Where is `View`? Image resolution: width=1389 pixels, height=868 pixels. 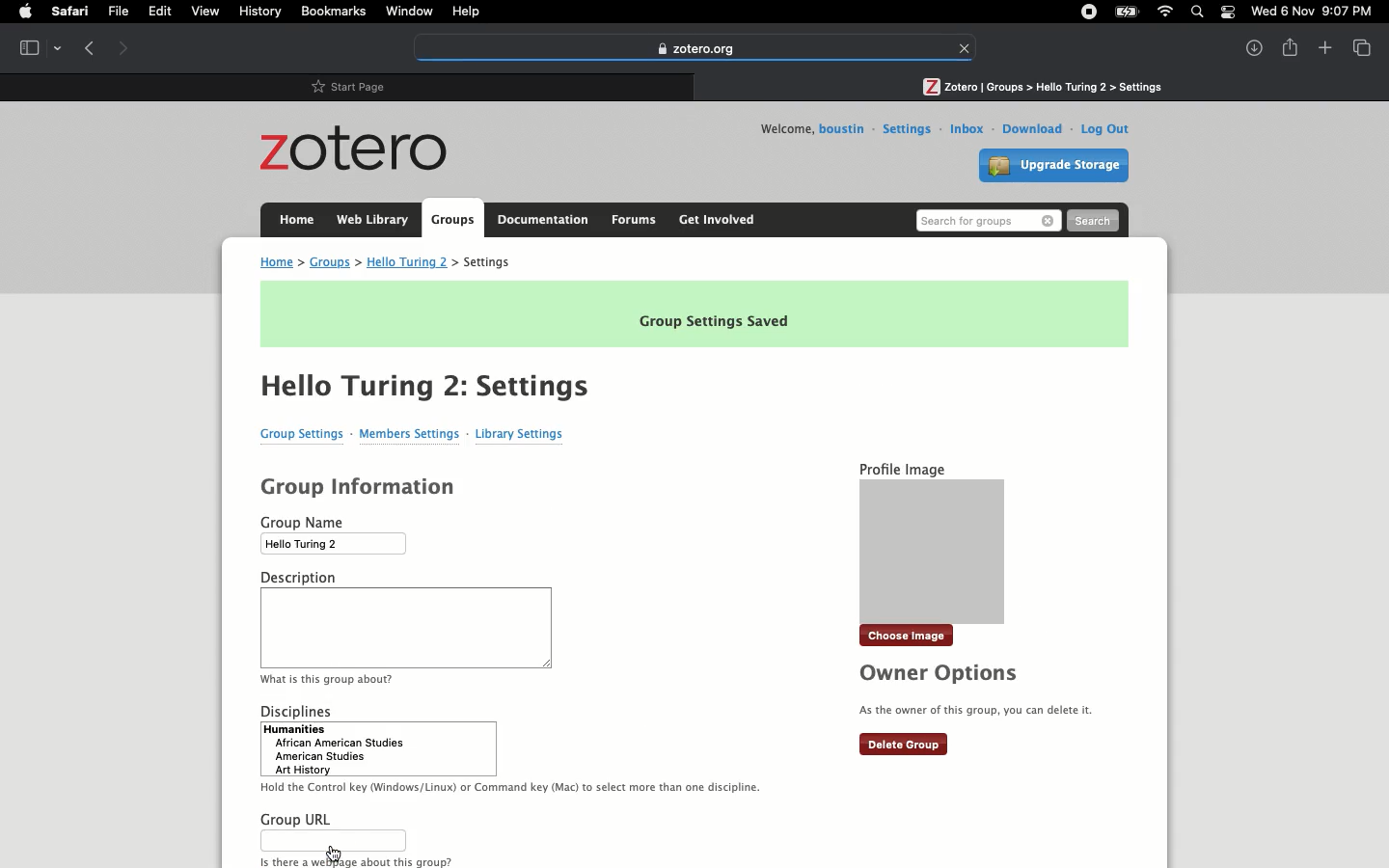 View is located at coordinates (1360, 46).